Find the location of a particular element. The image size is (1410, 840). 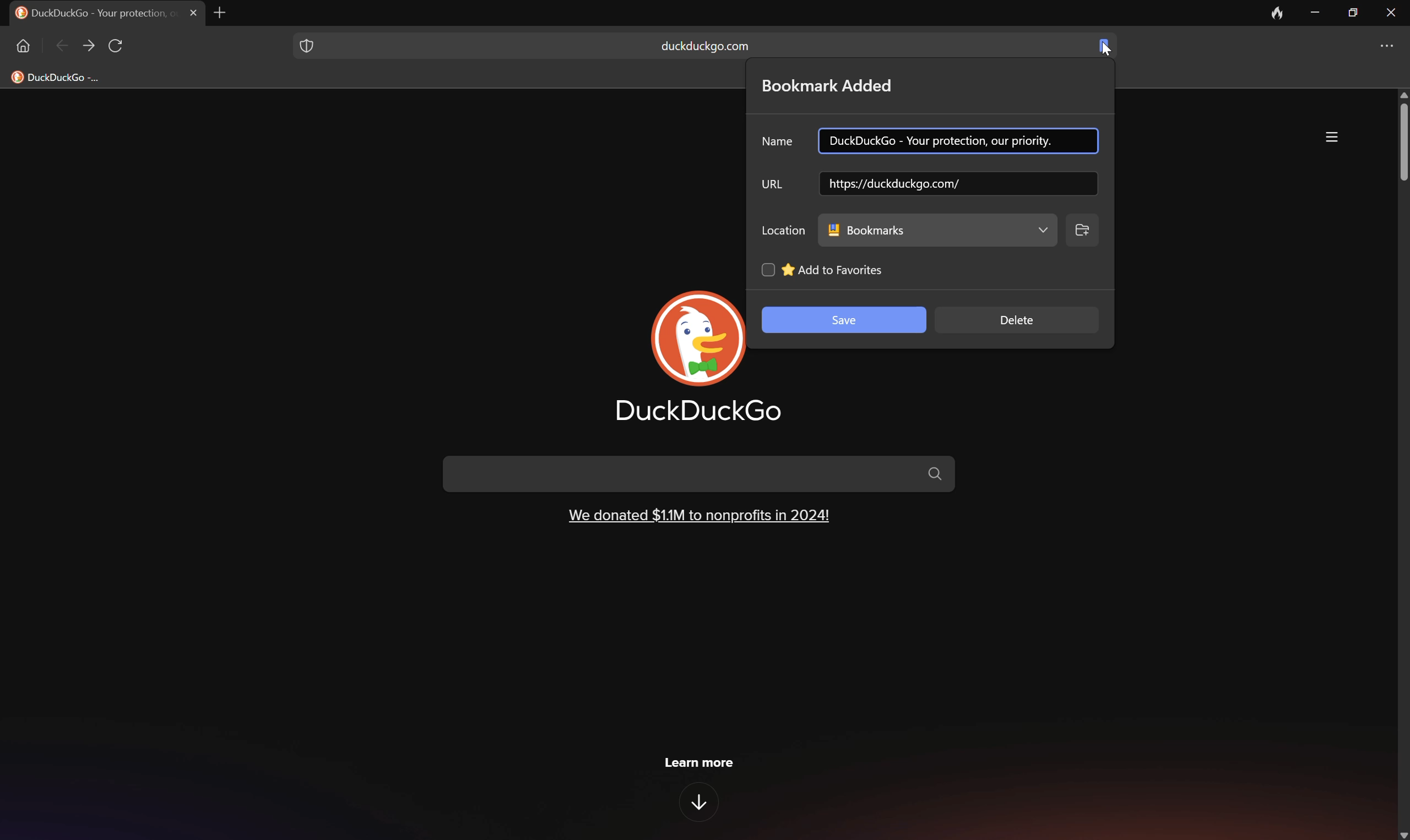

https://duckduckgo.com/ is located at coordinates (938, 183).